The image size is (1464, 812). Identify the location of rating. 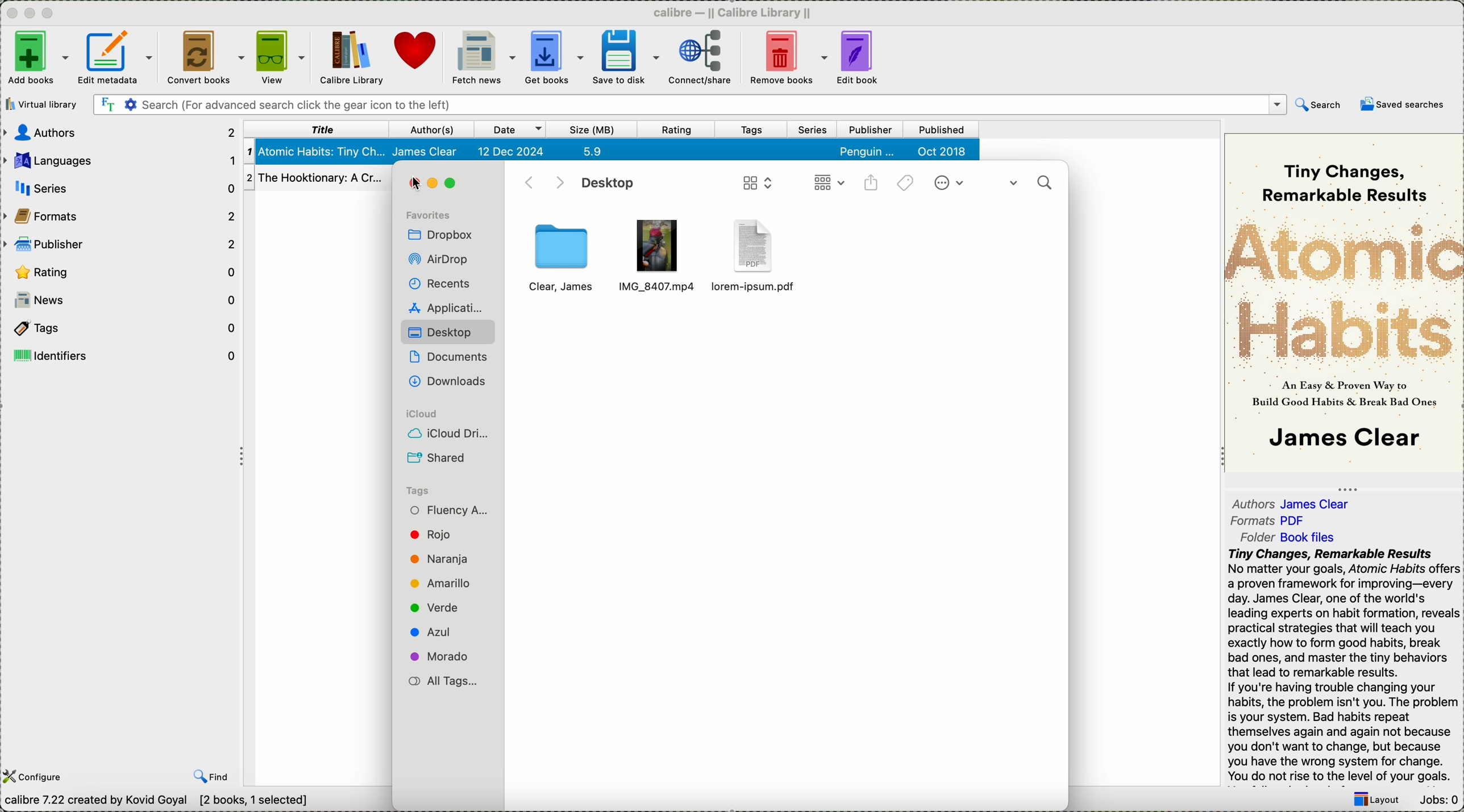
(118, 270).